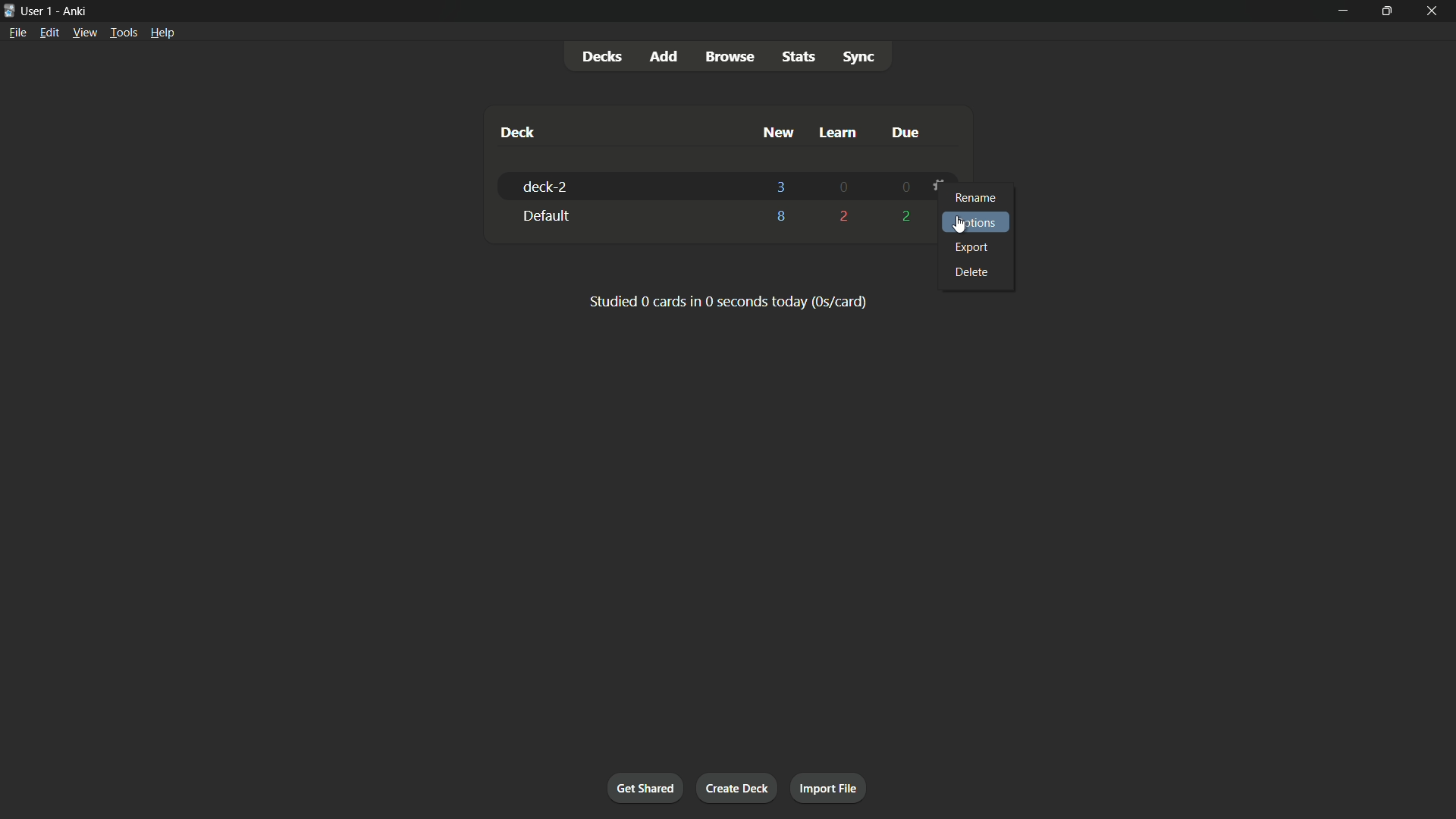 This screenshot has width=1456, height=819. Describe the element at coordinates (49, 33) in the screenshot. I see `edit menu` at that location.